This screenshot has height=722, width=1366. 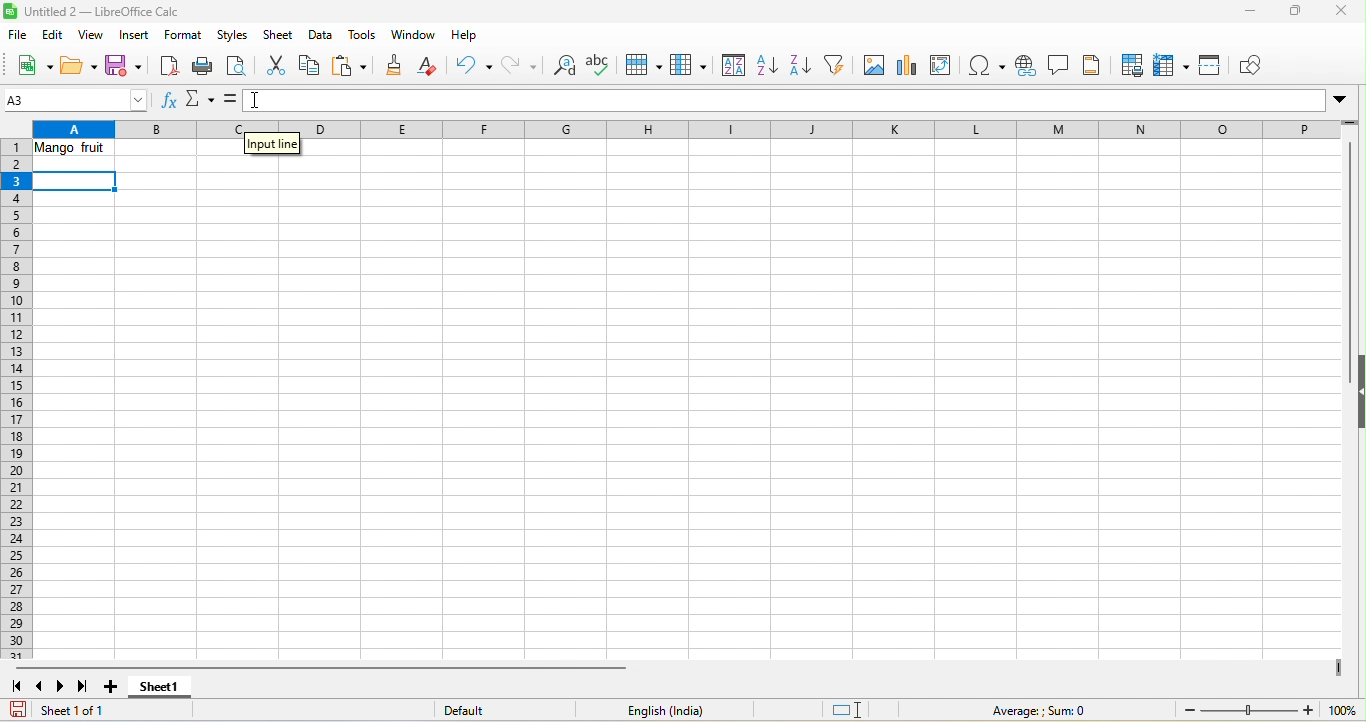 What do you see at coordinates (730, 66) in the screenshot?
I see `sort` at bounding box center [730, 66].